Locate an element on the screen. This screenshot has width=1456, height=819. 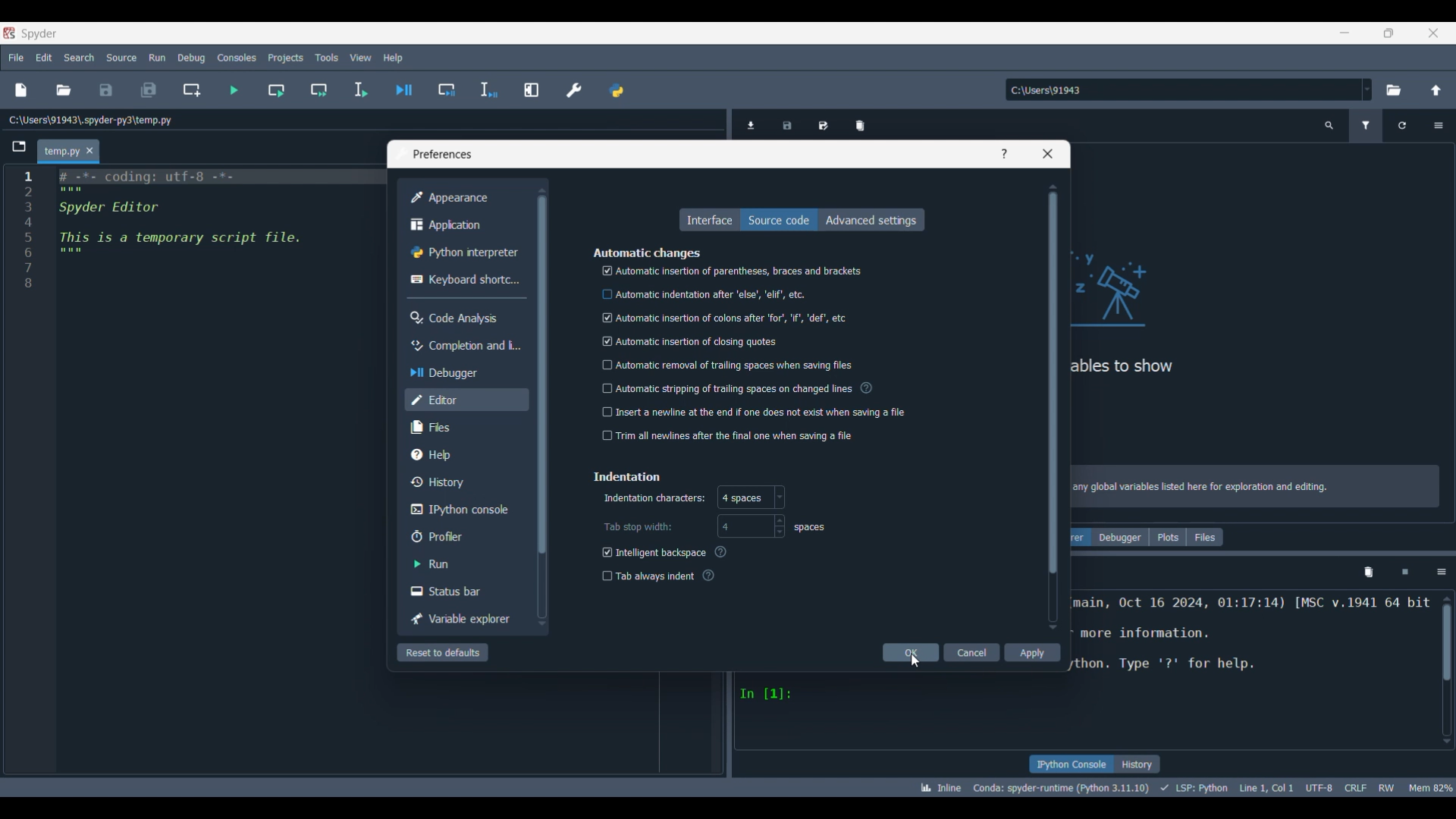
Maximize current pane is located at coordinates (532, 90).